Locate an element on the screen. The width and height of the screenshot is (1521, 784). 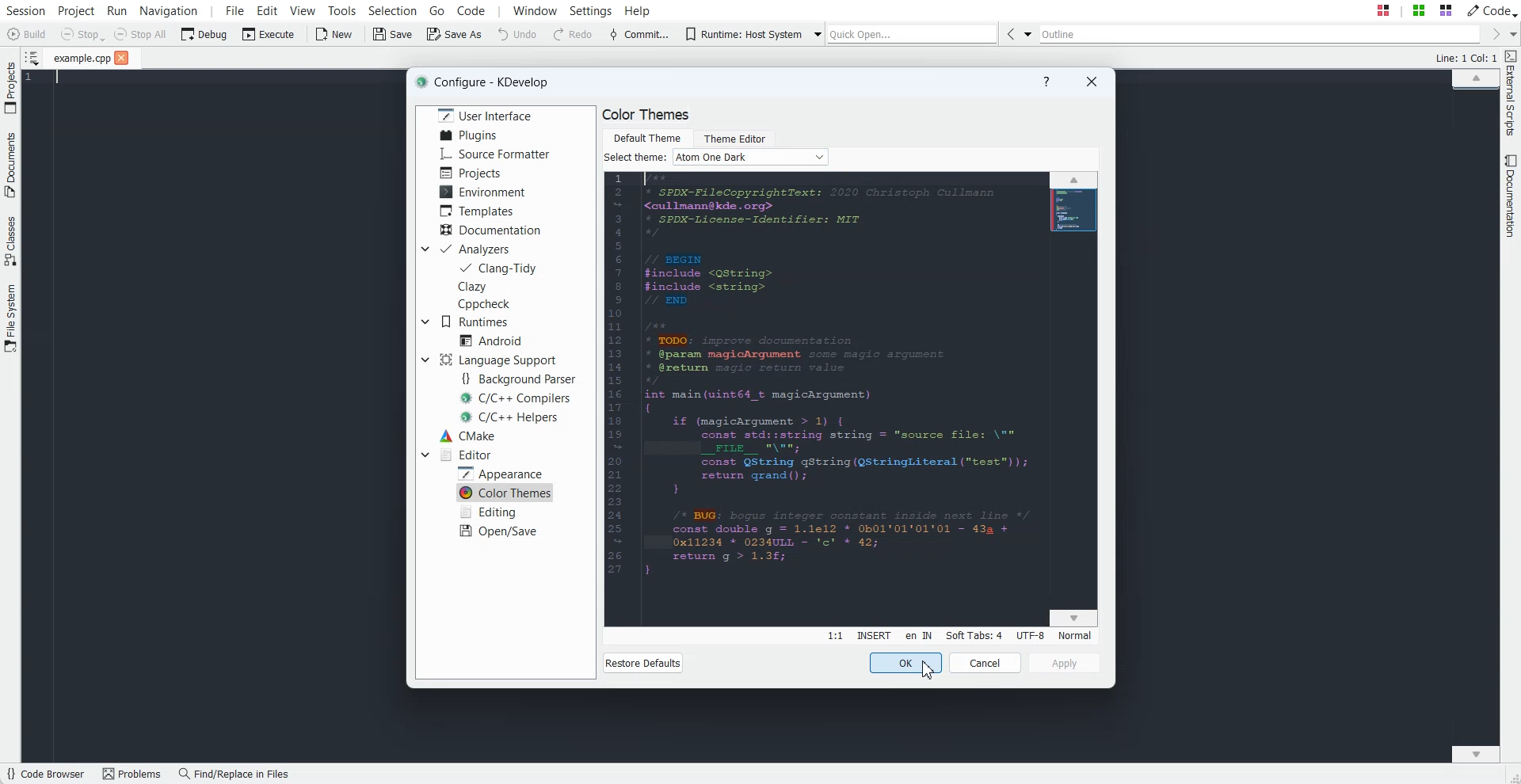
Debug is located at coordinates (204, 33).